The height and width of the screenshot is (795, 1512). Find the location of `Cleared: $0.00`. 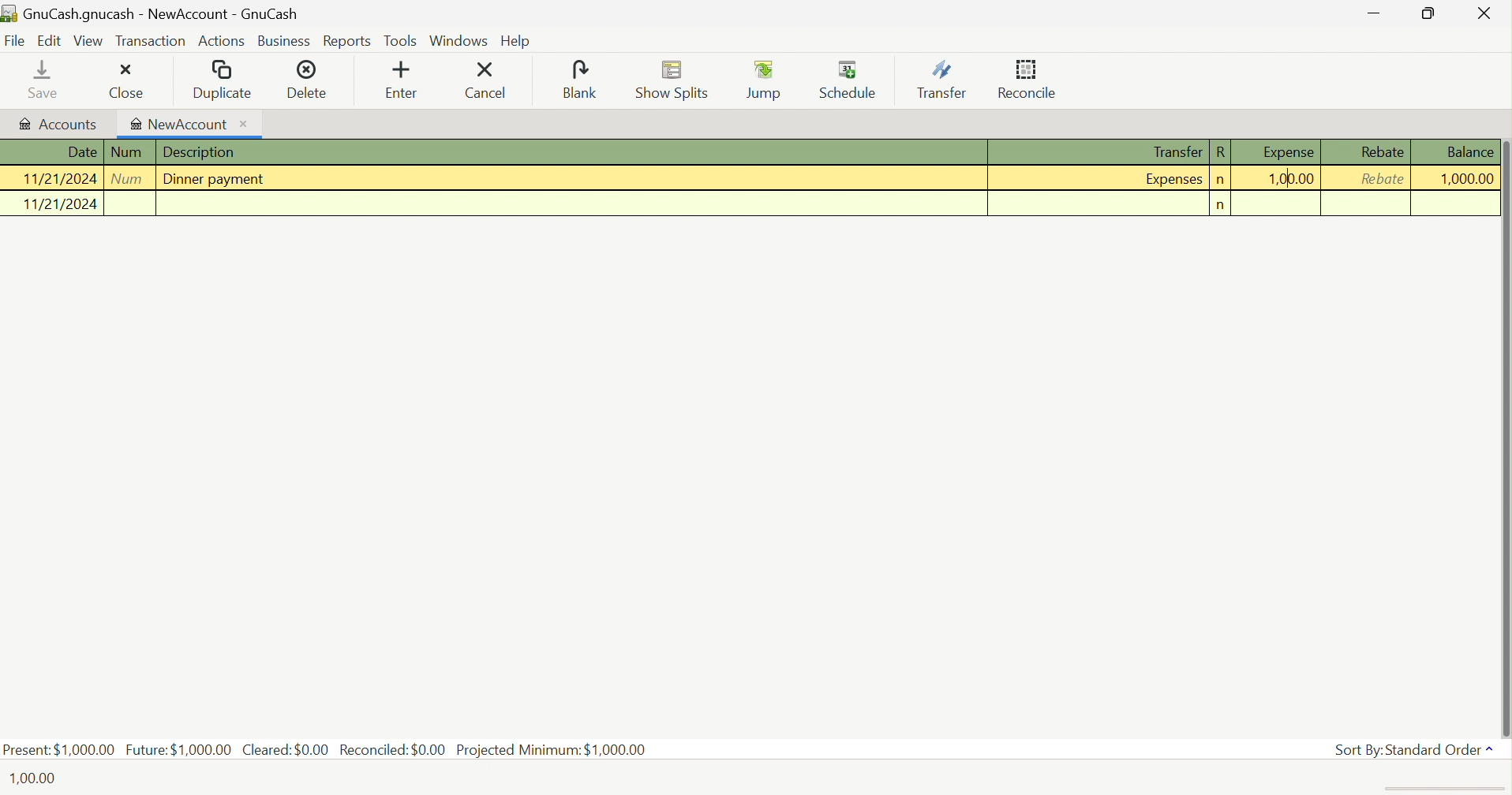

Cleared: $0.00 is located at coordinates (286, 750).